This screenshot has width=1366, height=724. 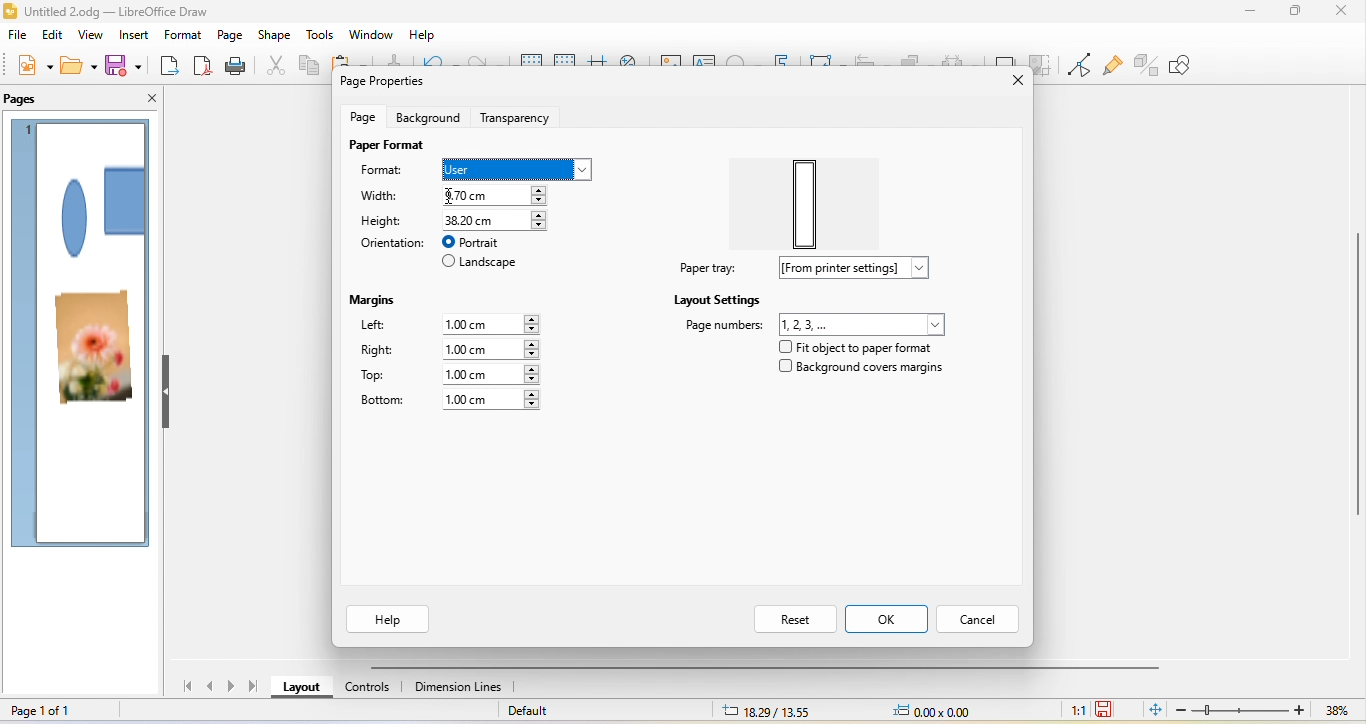 I want to click on height, so click(x=388, y=219).